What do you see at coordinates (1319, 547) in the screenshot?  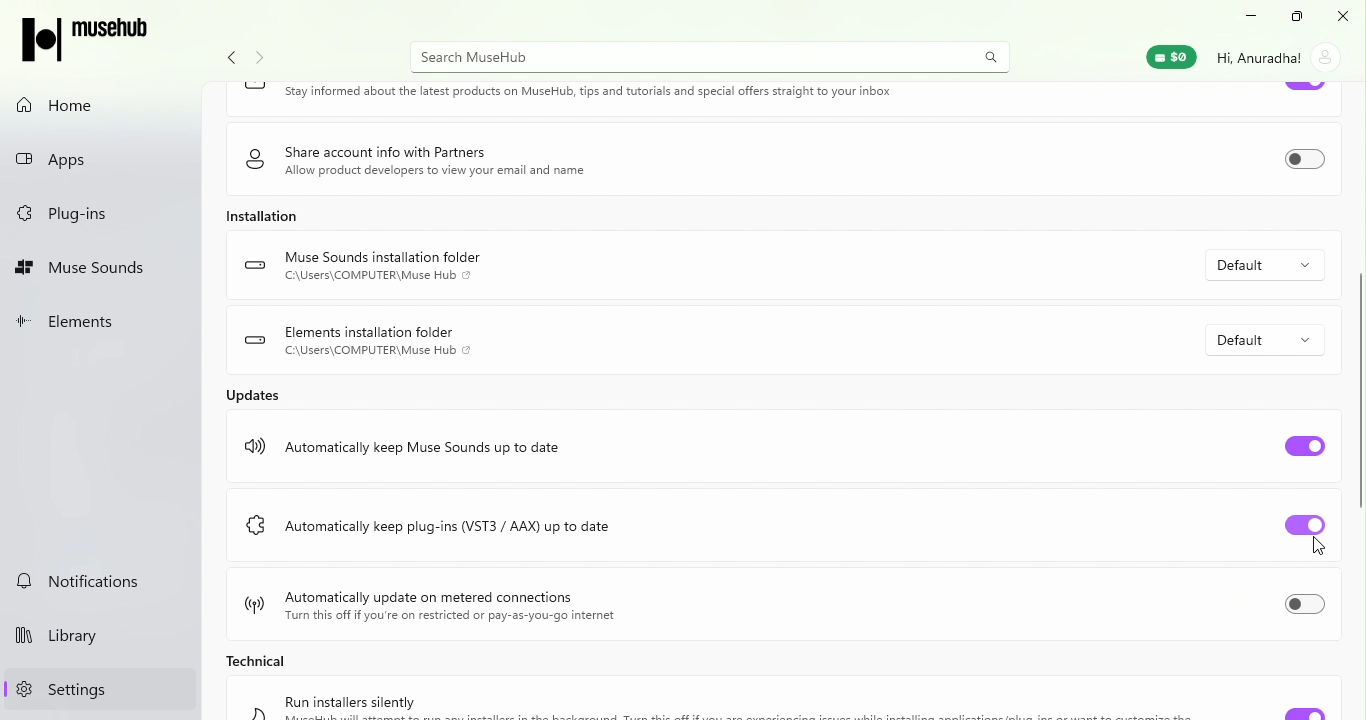 I see `cursor` at bounding box center [1319, 547].